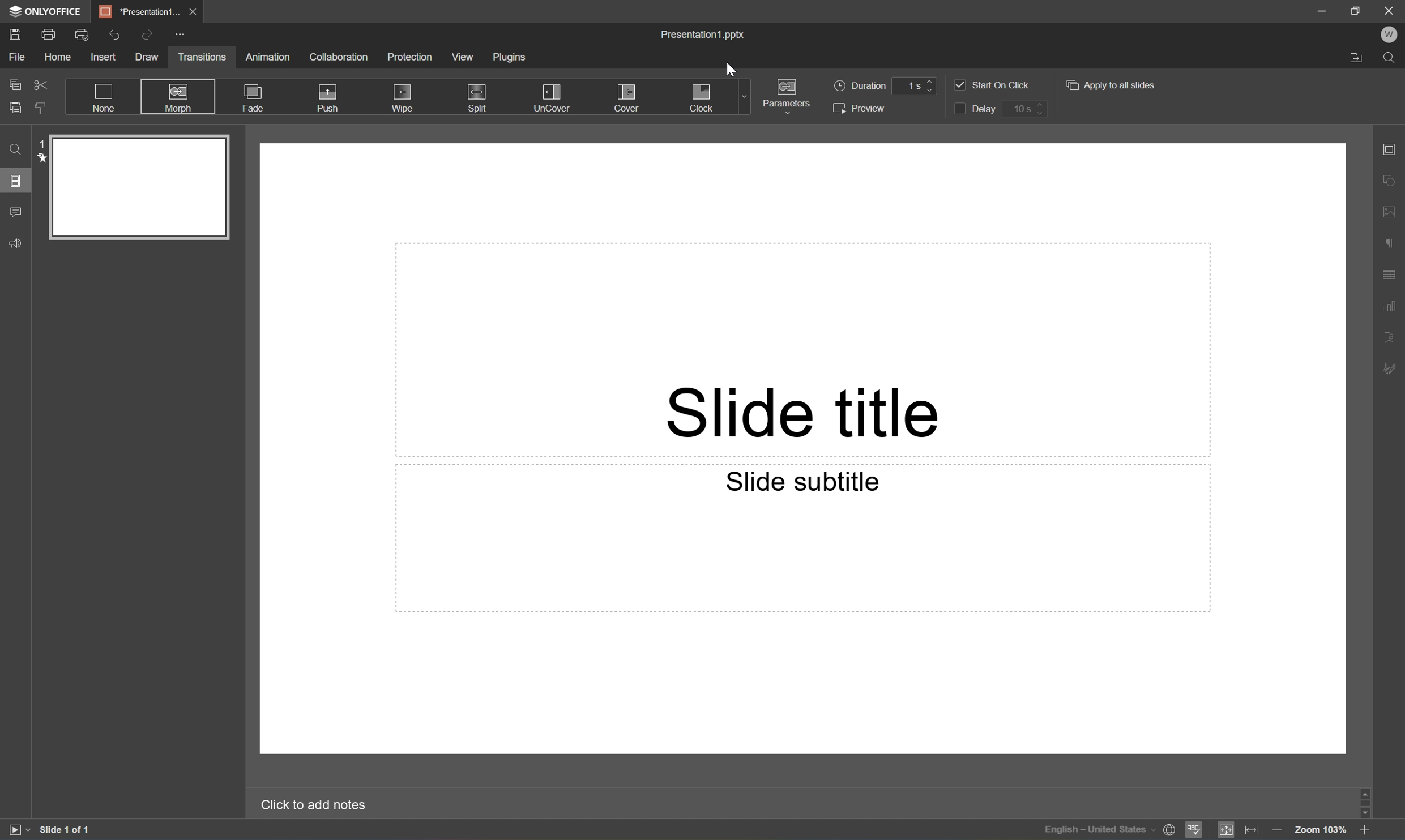  What do you see at coordinates (181, 98) in the screenshot?
I see `Morph` at bounding box center [181, 98].